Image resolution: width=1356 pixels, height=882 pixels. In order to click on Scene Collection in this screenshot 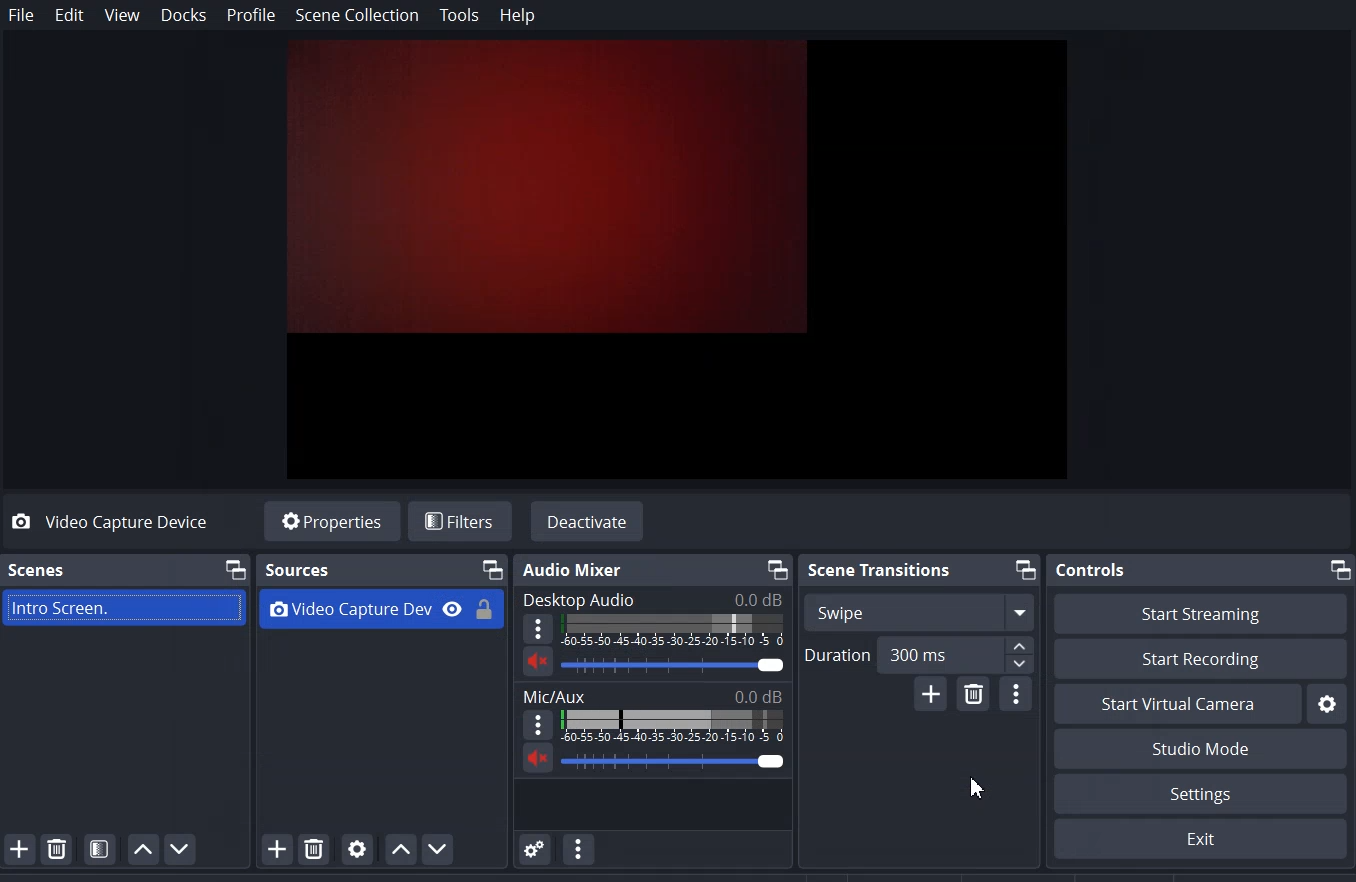, I will do `click(358, 16)`.